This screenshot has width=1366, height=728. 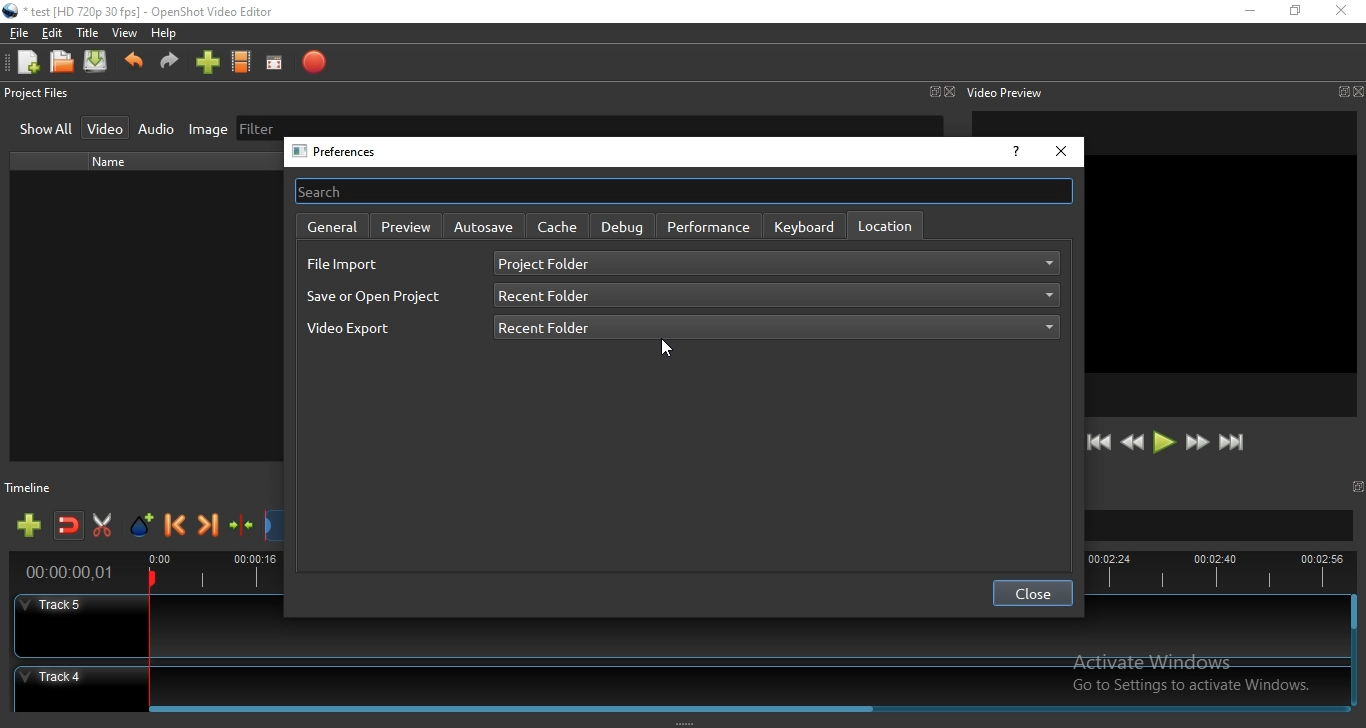 What do you see at coordinates (134, 66) in the screenshot?
I see `Undo` at bounding box center [134, 66].